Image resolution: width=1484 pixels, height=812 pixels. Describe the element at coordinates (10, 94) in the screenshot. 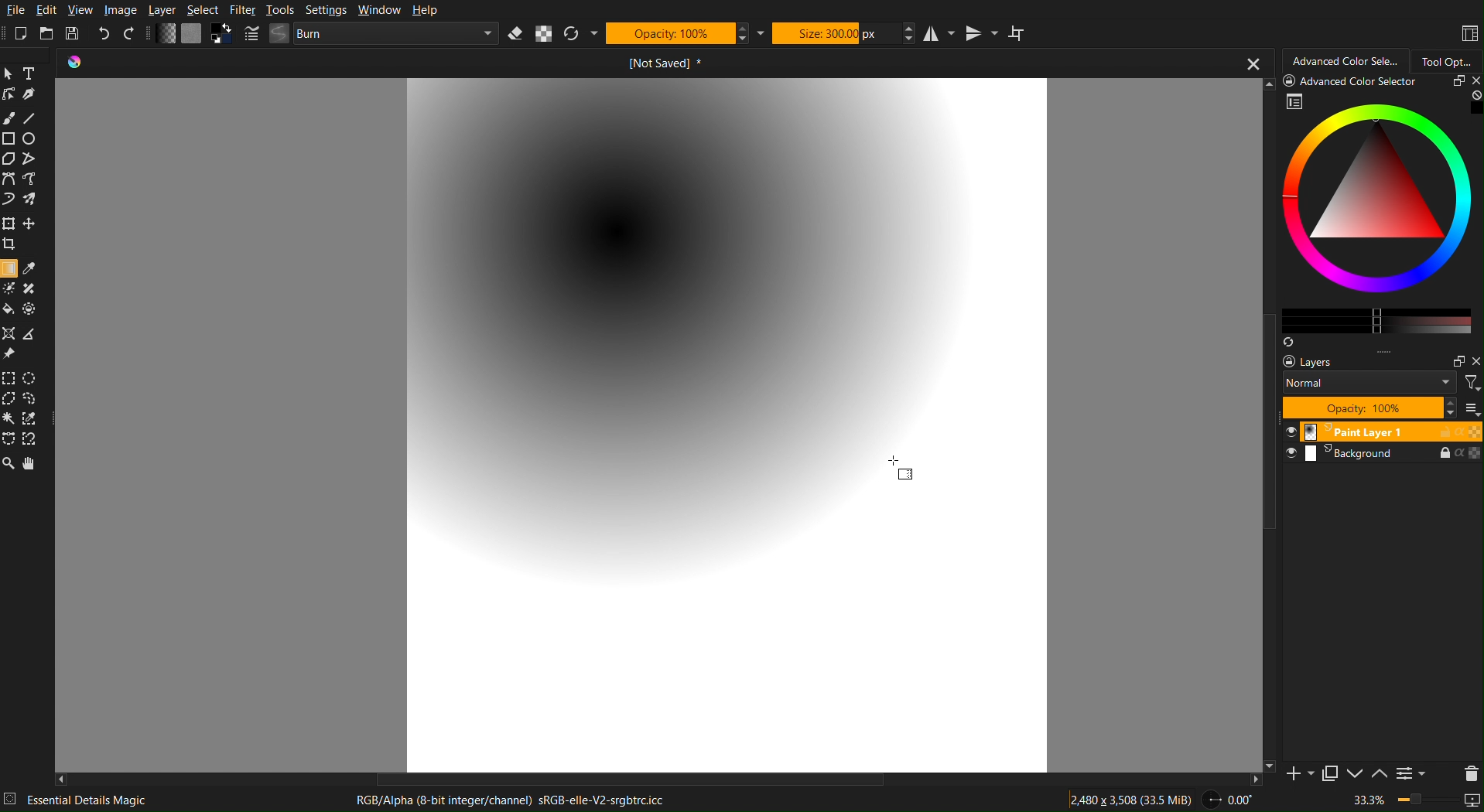

I see `Linework` at that location.